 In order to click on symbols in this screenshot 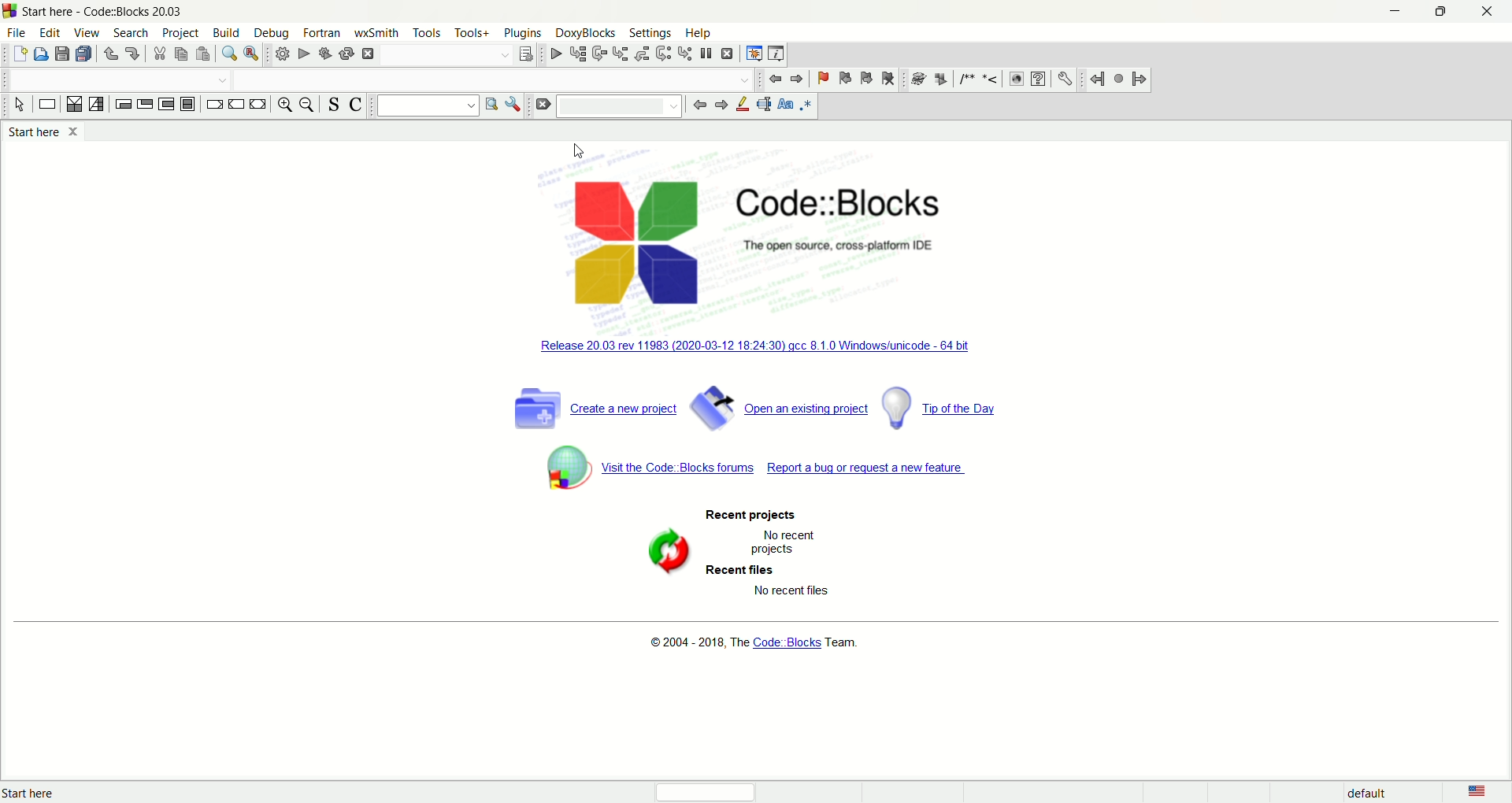, I will do `click(955, 79)`.